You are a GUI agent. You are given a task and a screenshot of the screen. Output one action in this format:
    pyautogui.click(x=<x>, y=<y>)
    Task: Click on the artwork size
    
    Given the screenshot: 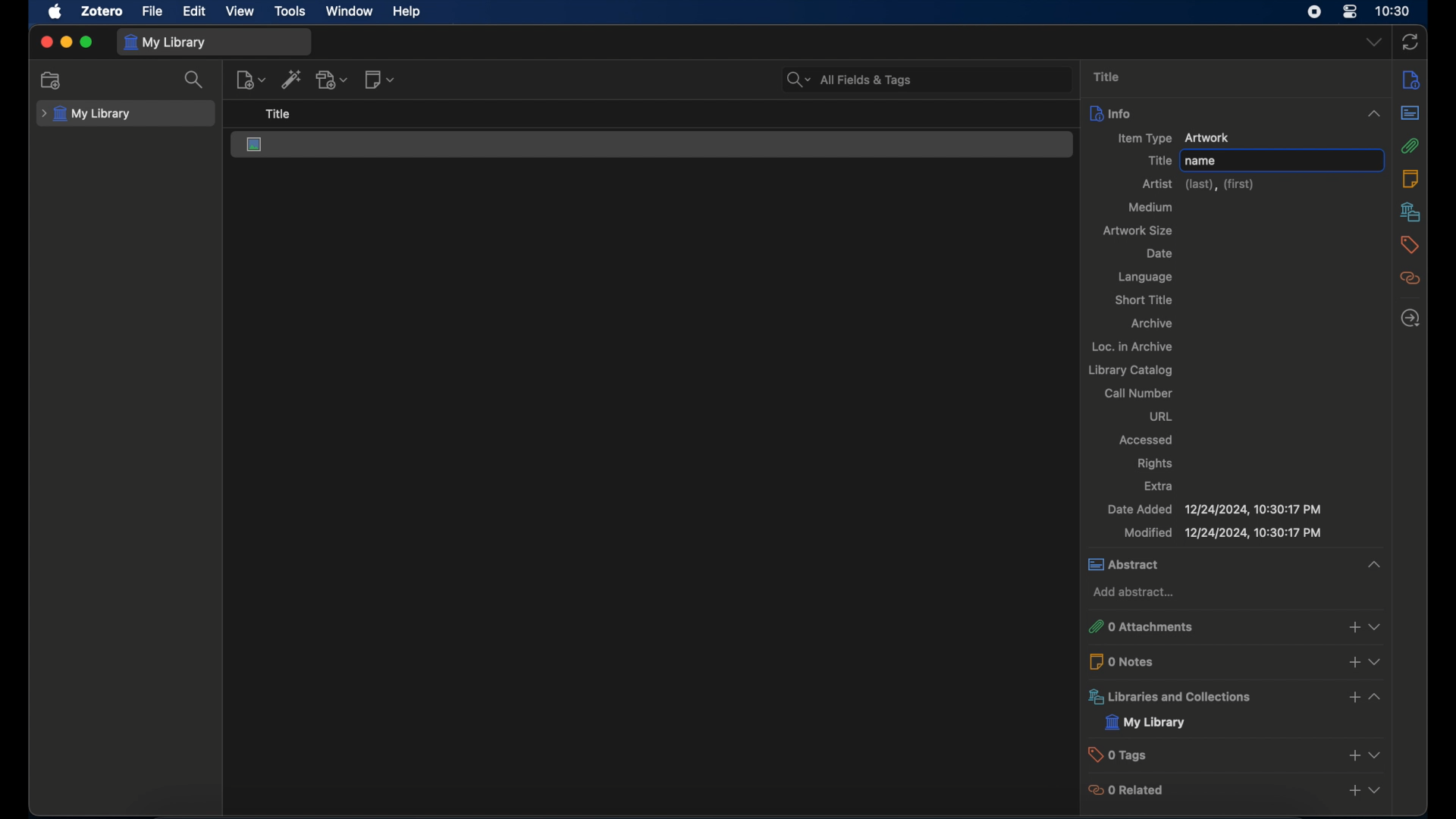 What is the action you would take?
    pyautogui.click(x=1141, y=231)
    